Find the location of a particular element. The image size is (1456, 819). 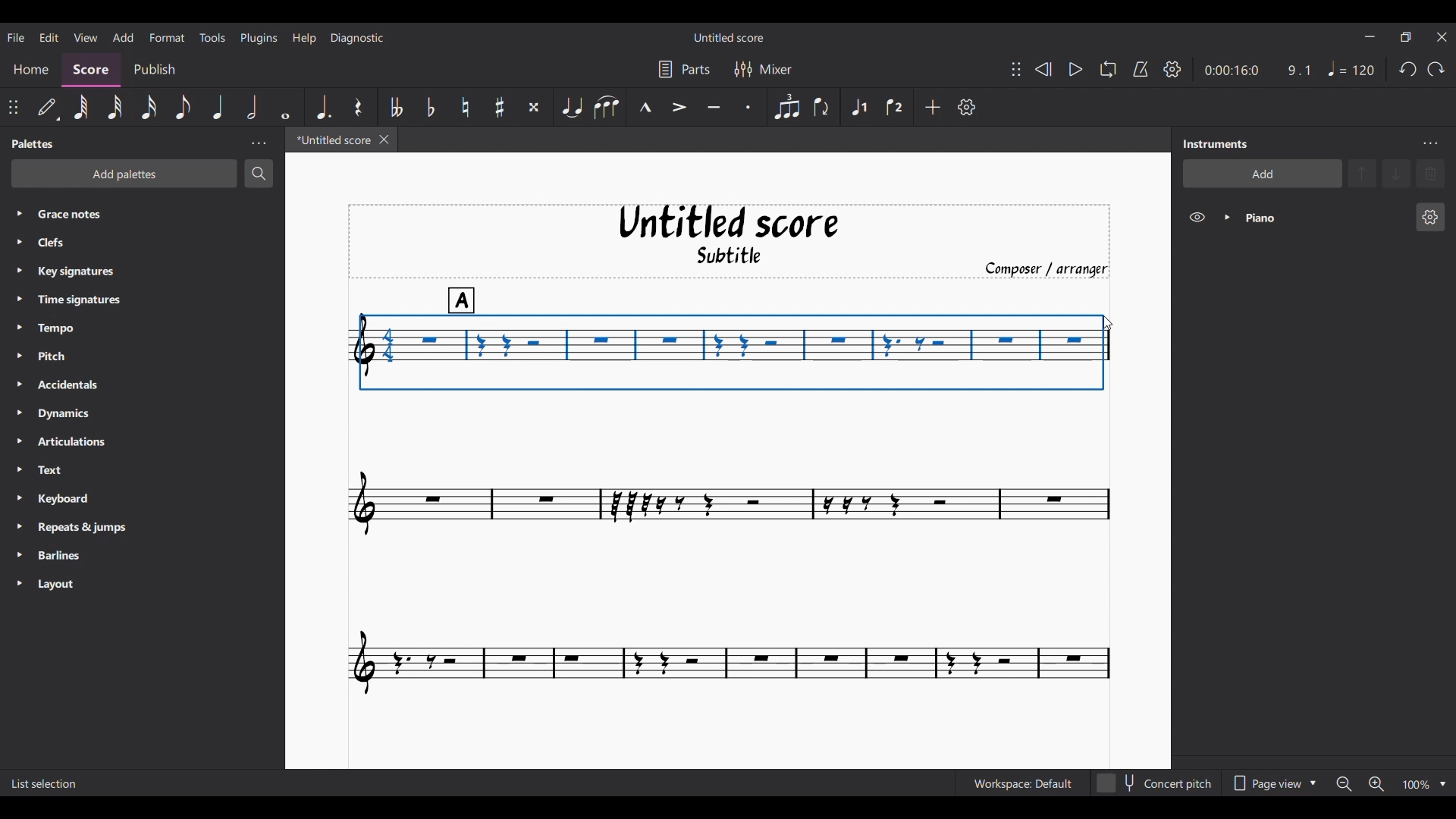

Piano settings is located at coordinates (1430, 217).